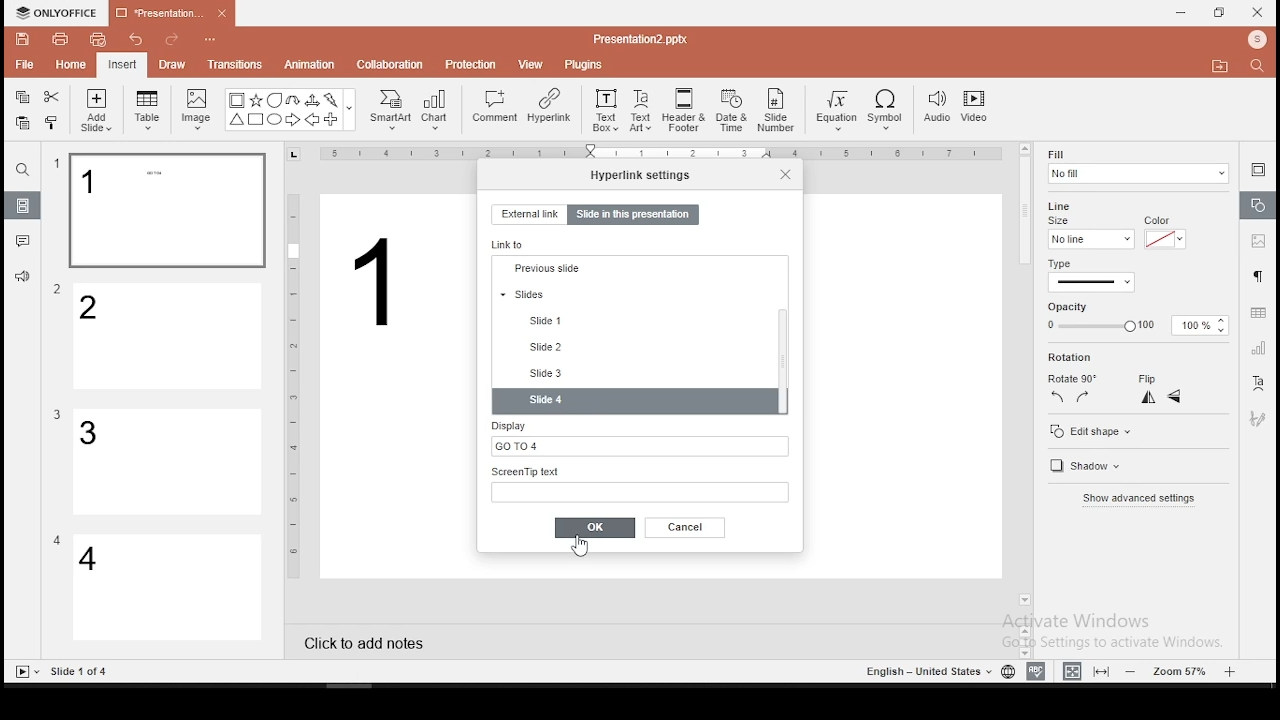 Image resolution: width=1280 pixels, height=720 pixels. What do you see at coordinates (333, 100) in the screenshot?
I see `Flash` at bounding box center [333, 100].